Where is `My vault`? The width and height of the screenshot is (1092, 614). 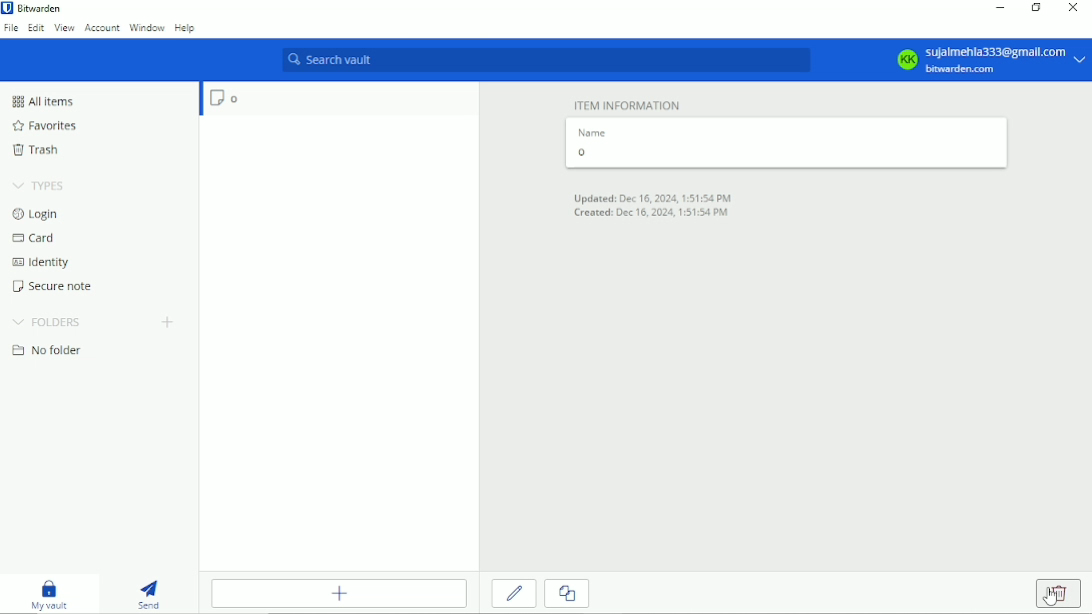
My vault is located at coordinates (51, 595).